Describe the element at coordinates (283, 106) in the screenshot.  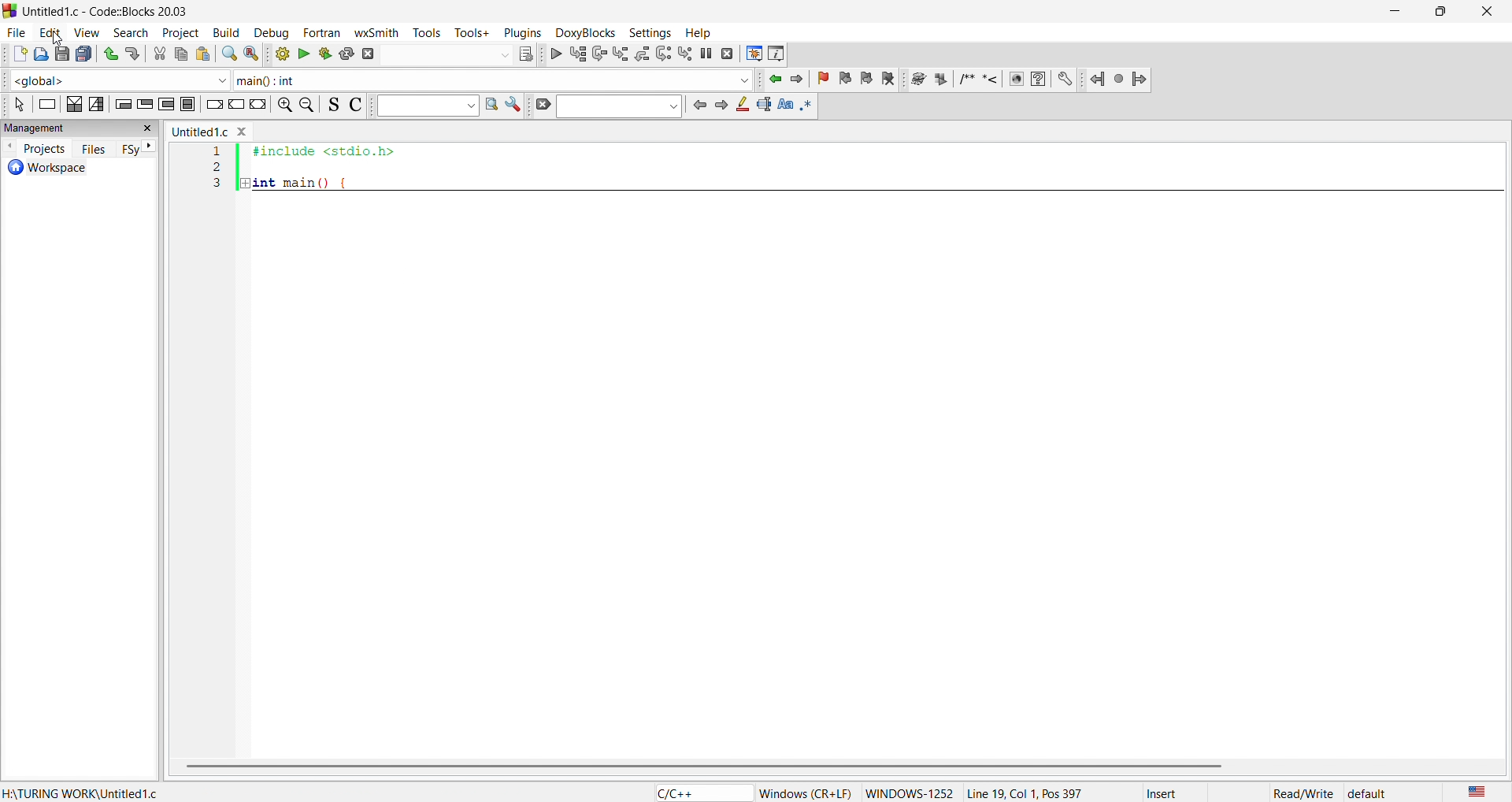
I see `zoom in ` at that location.